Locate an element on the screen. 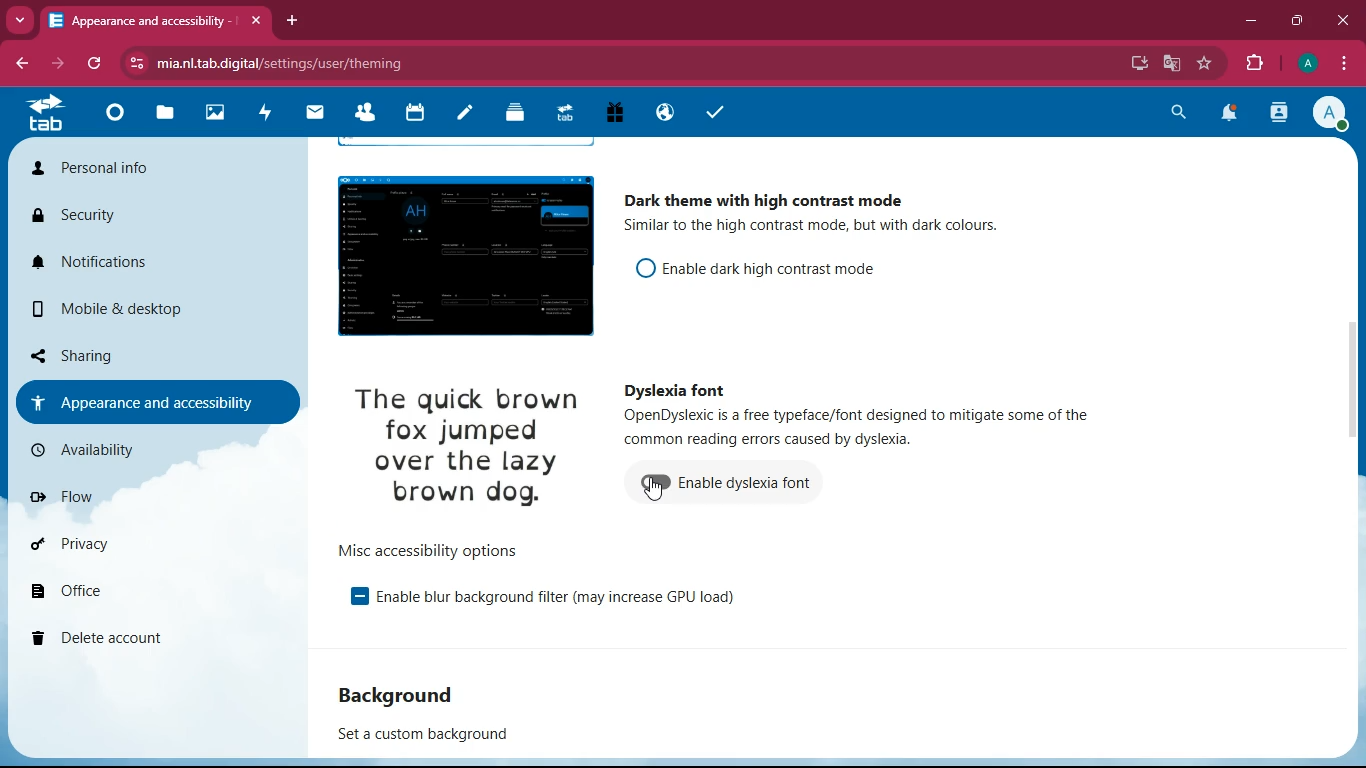 This screenshot has height=768, width=1366. search is located at coordinates (1177, 112).